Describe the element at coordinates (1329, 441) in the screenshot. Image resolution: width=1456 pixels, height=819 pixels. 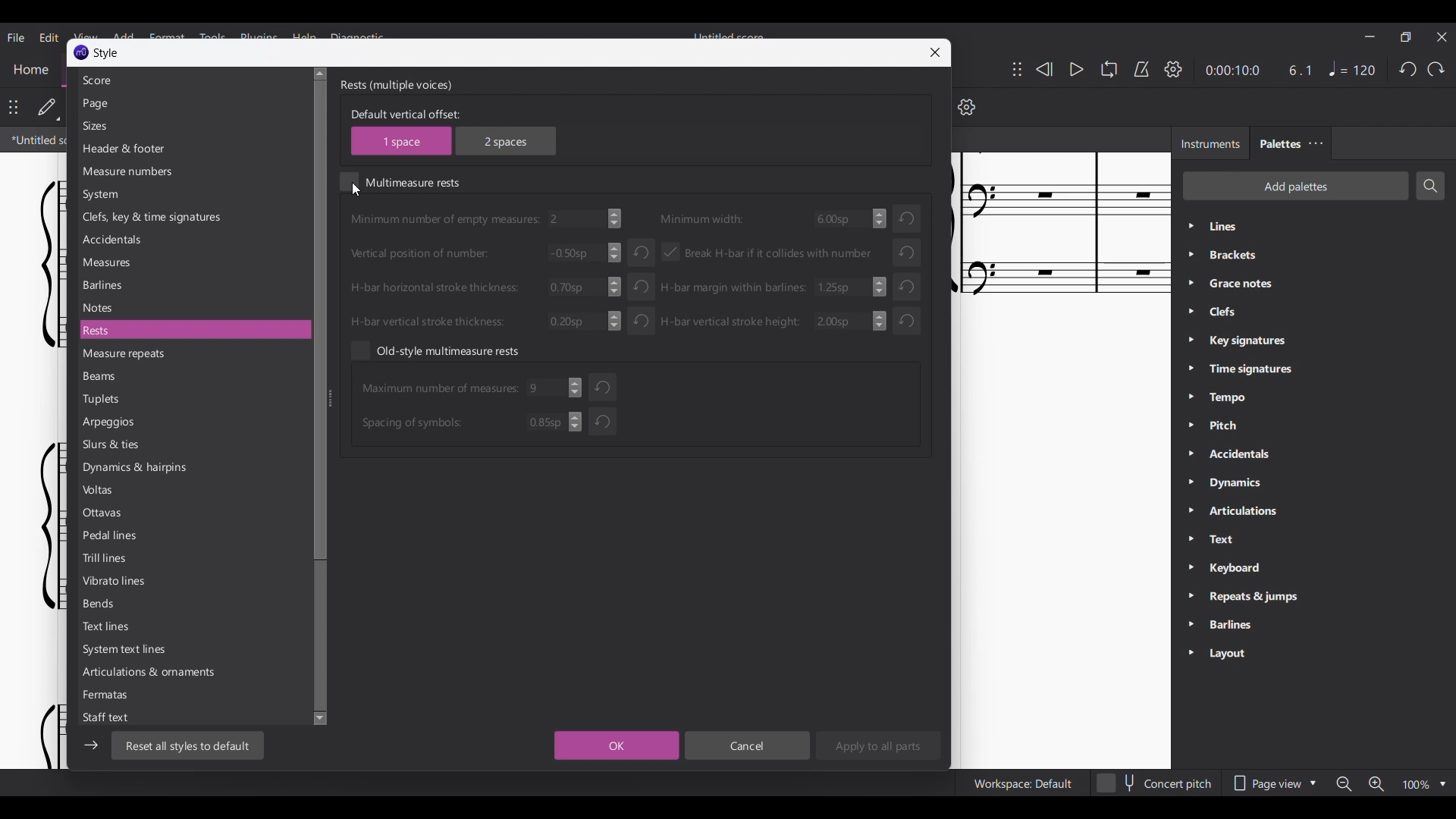
I see `Palette list` at that location.